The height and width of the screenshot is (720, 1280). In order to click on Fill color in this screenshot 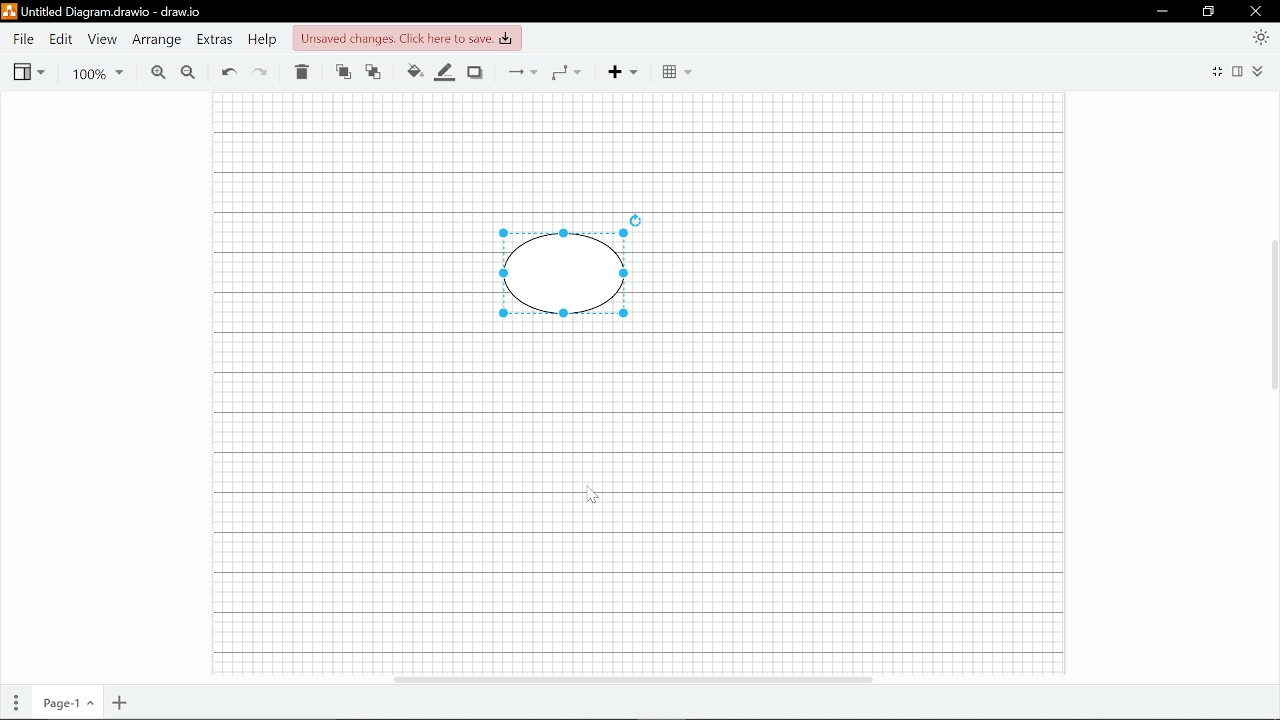, I will do `click(414, 72)`.